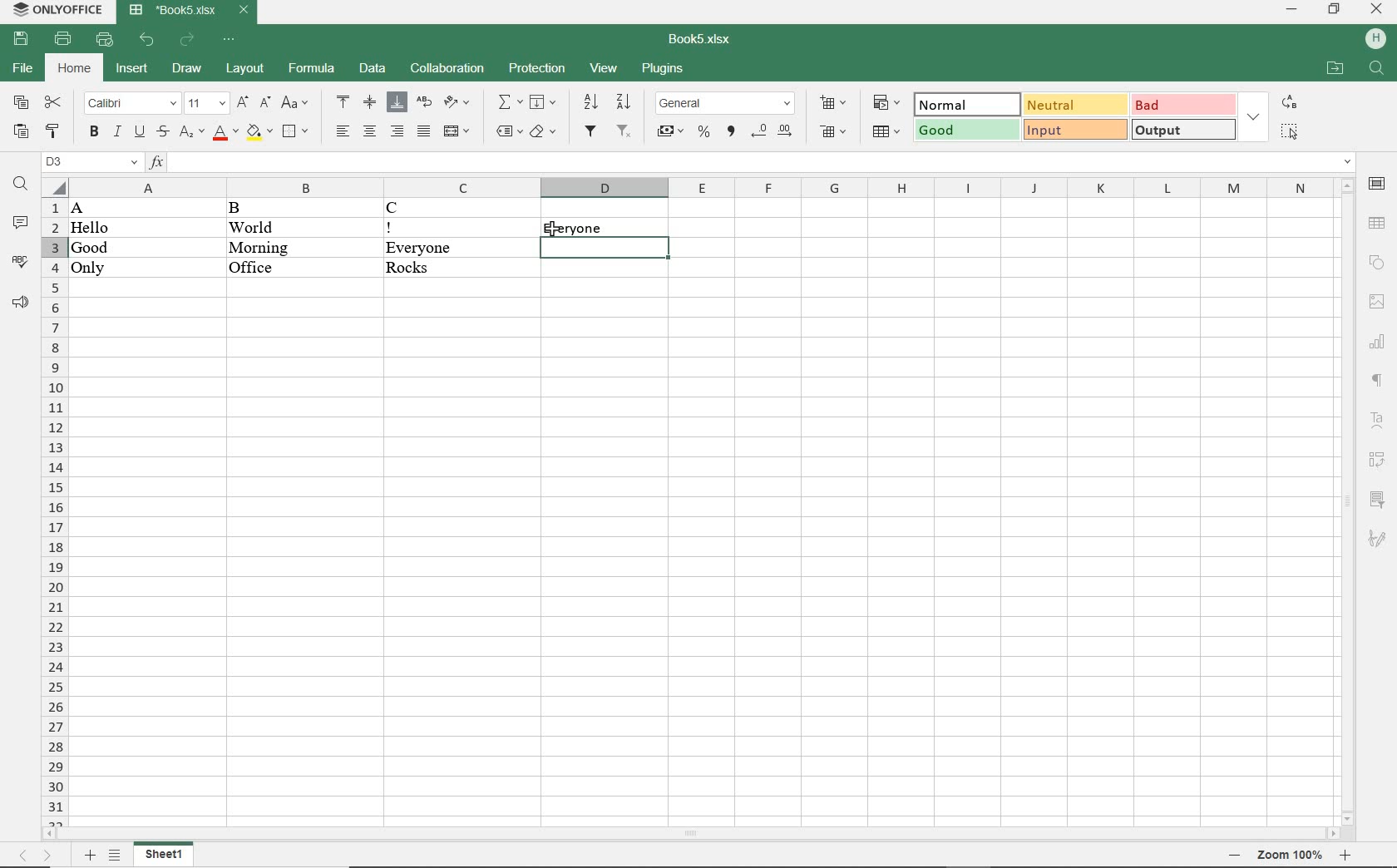 Image resolution: width=1397 pixels, height=868 pixels. I want to click on draw, so click(185, 70).